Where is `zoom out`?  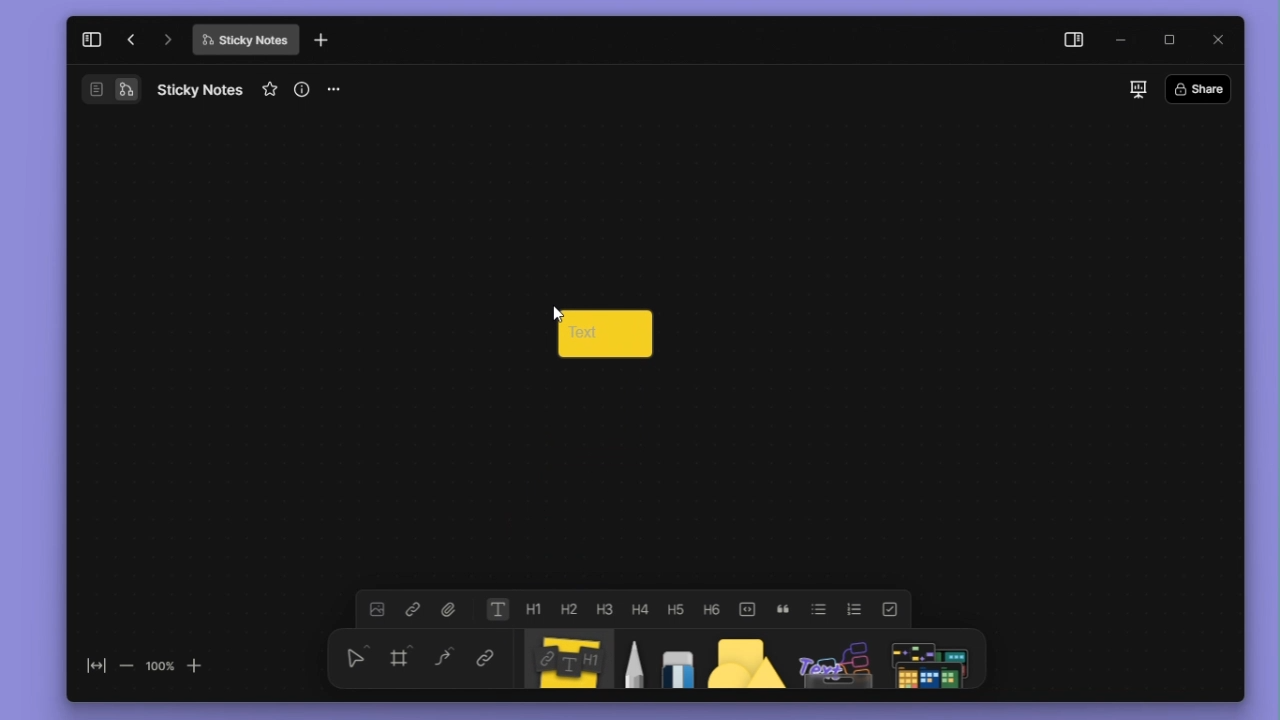 zoom out is located at coordinates (126, 661).